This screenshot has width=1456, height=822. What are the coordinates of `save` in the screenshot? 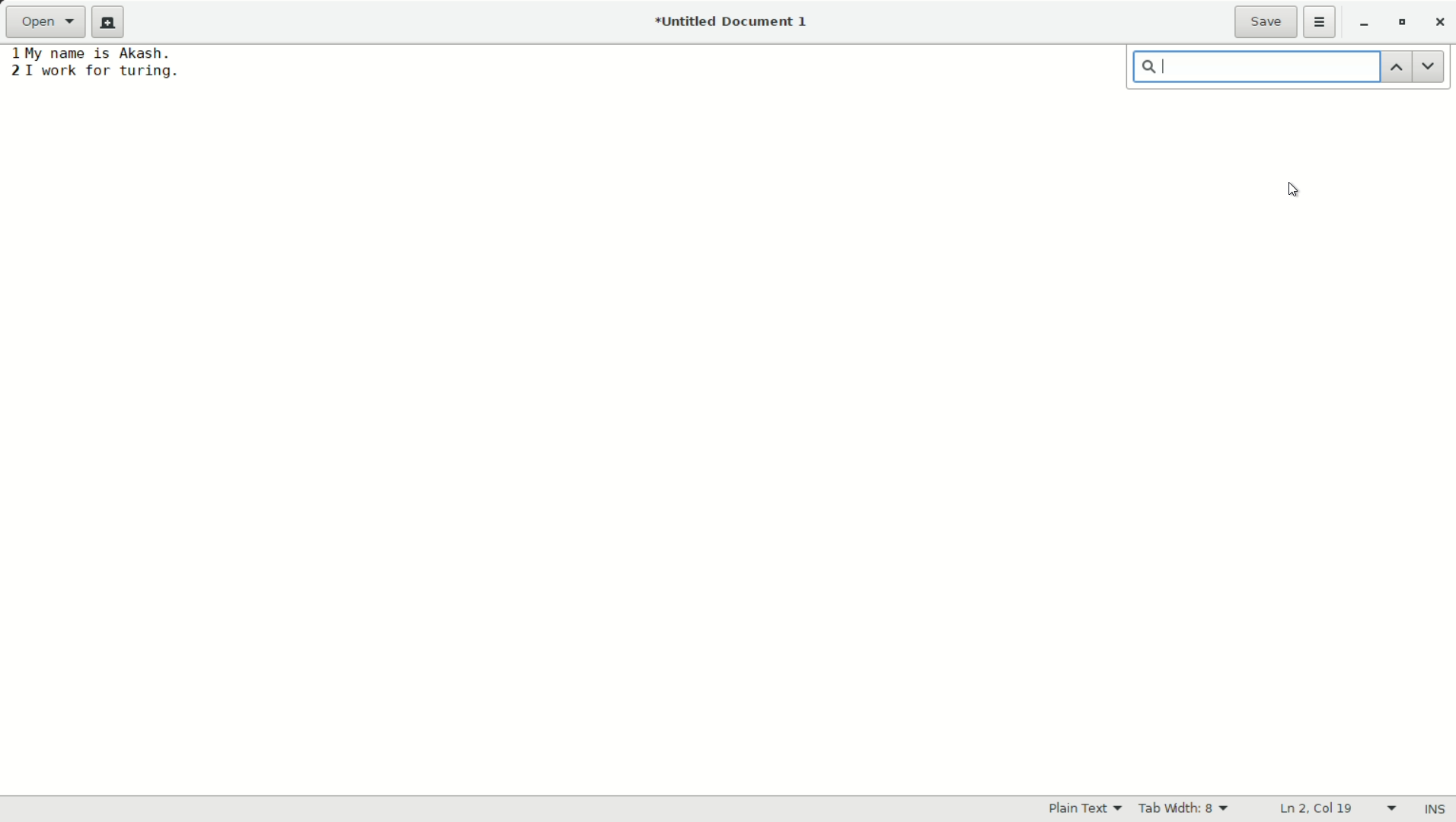 It's located at (1267, 22).